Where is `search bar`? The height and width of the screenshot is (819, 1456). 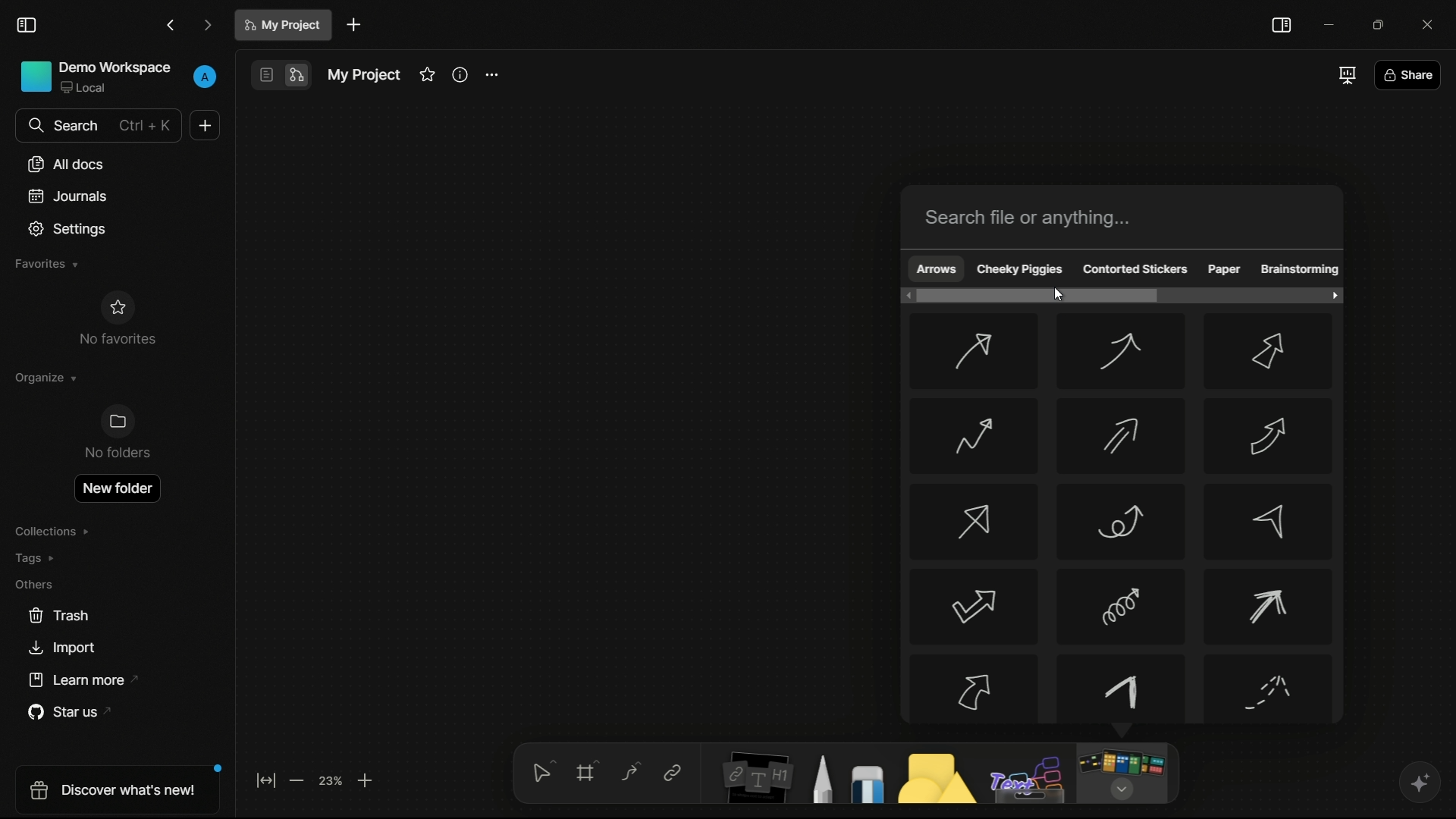 search bar is located at coordinates (97, 125).